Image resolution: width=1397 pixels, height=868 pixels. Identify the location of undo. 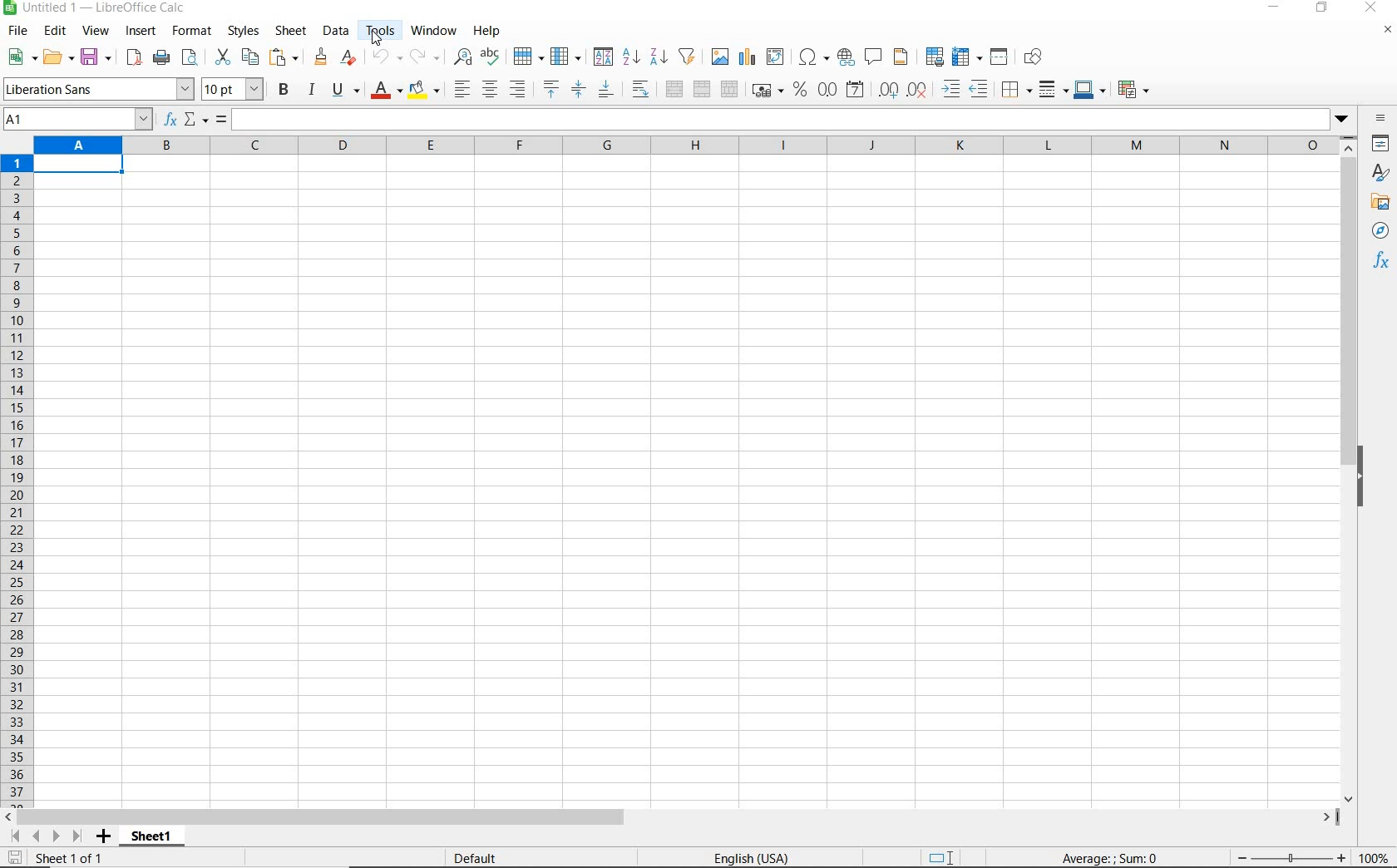
(385, 57).